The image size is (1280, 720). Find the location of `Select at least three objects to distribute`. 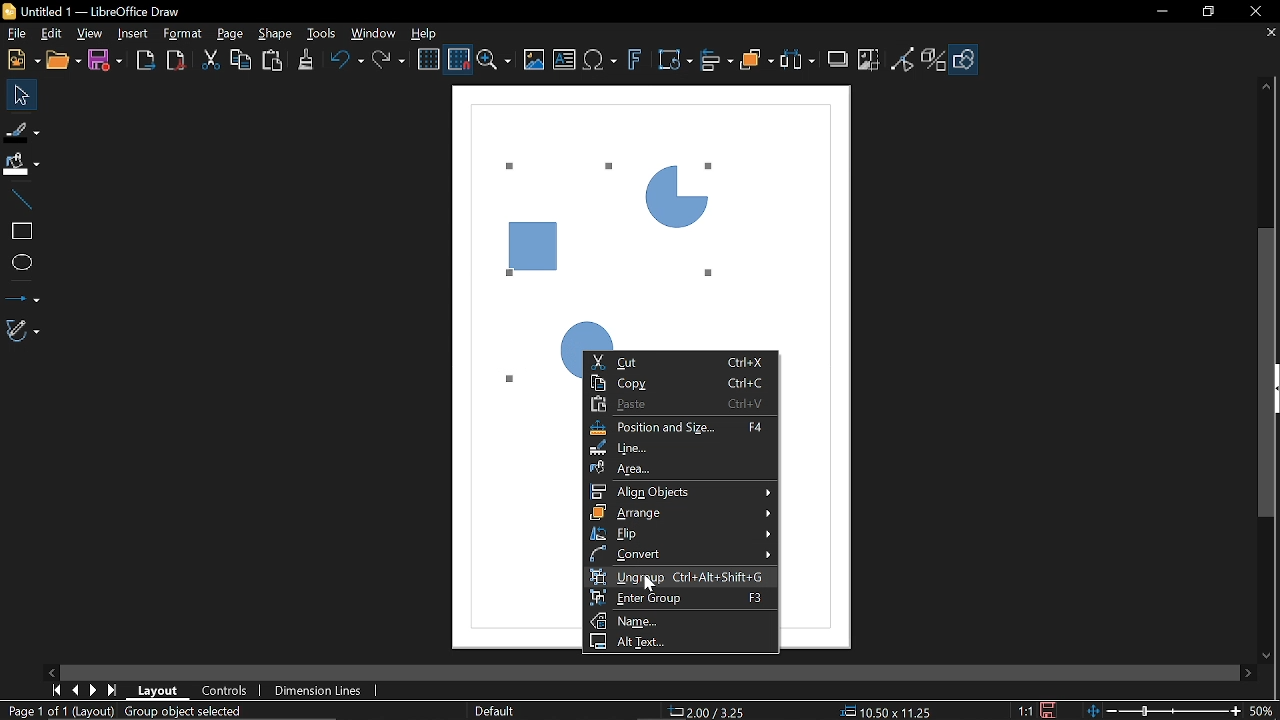

Select at least three objects to distribute is located at coordinates (800, 64).